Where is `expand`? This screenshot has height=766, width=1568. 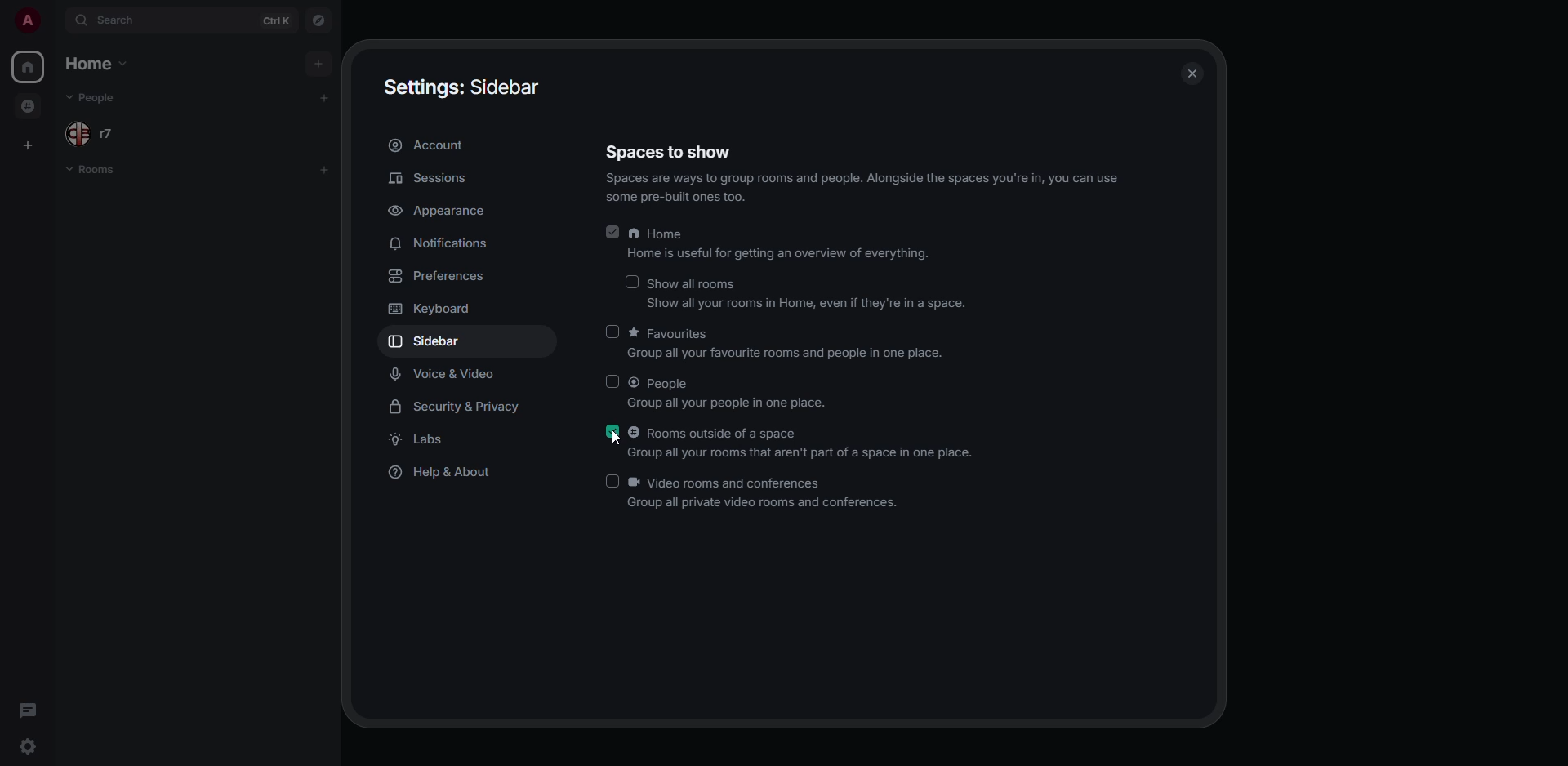
expand is located at coordinates (56, 19).